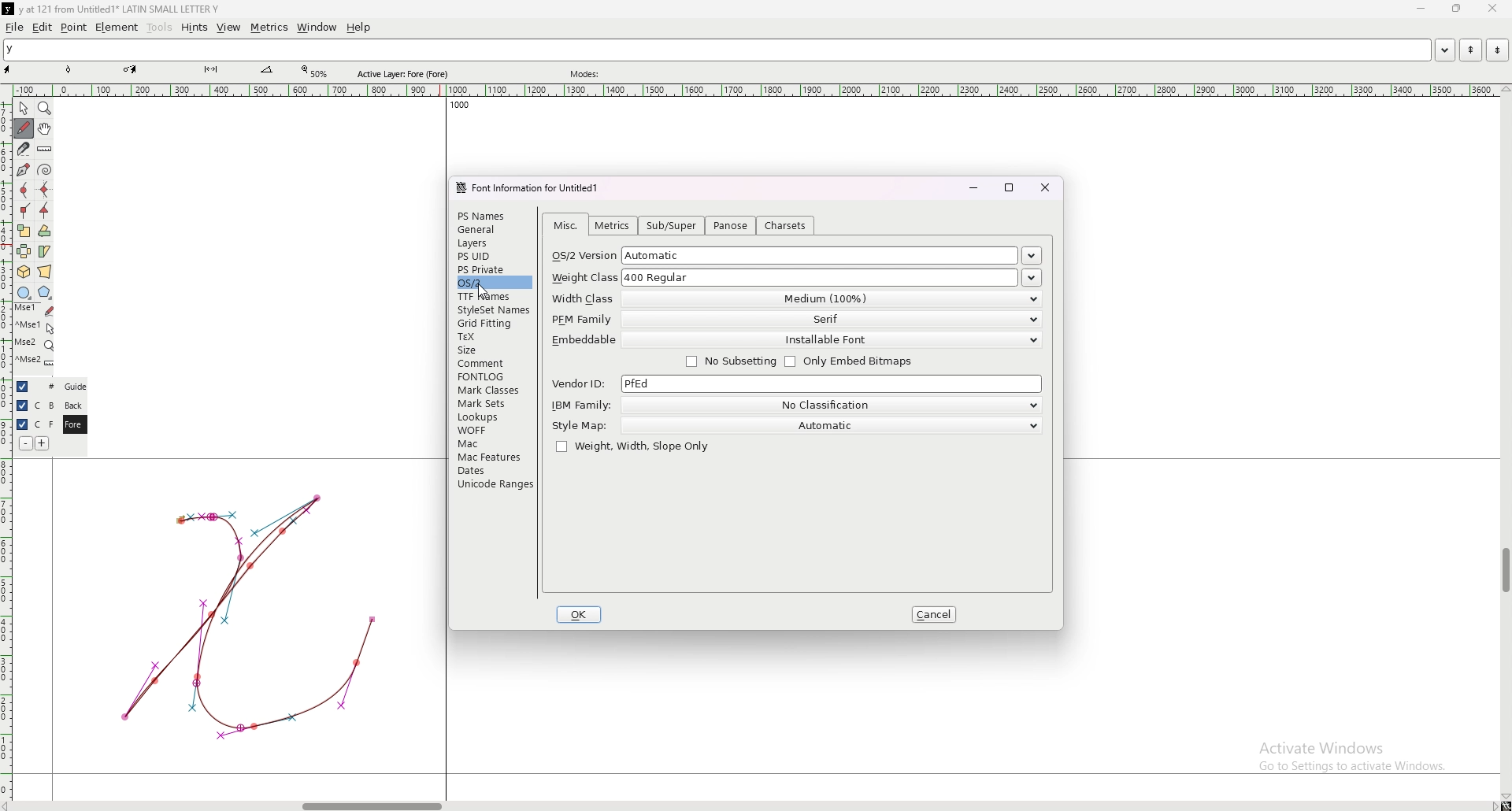 Image resolution: width=1512 pixels, height=811 pixels. What do you see at coordinates (492, 443) in the screenshot?
I see `mac` at bounding box center [492, 443].